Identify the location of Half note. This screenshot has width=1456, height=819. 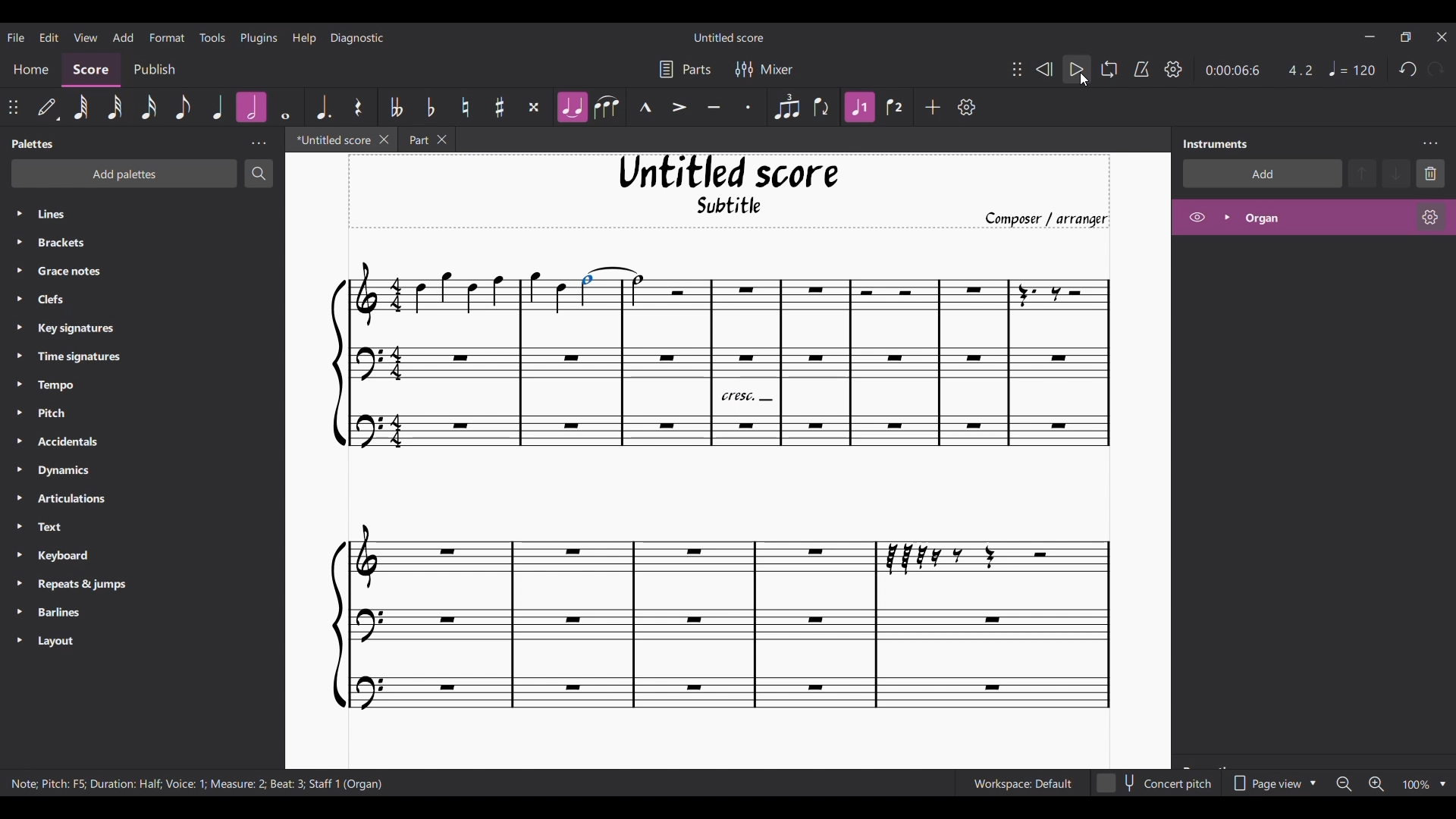
(252, 108).